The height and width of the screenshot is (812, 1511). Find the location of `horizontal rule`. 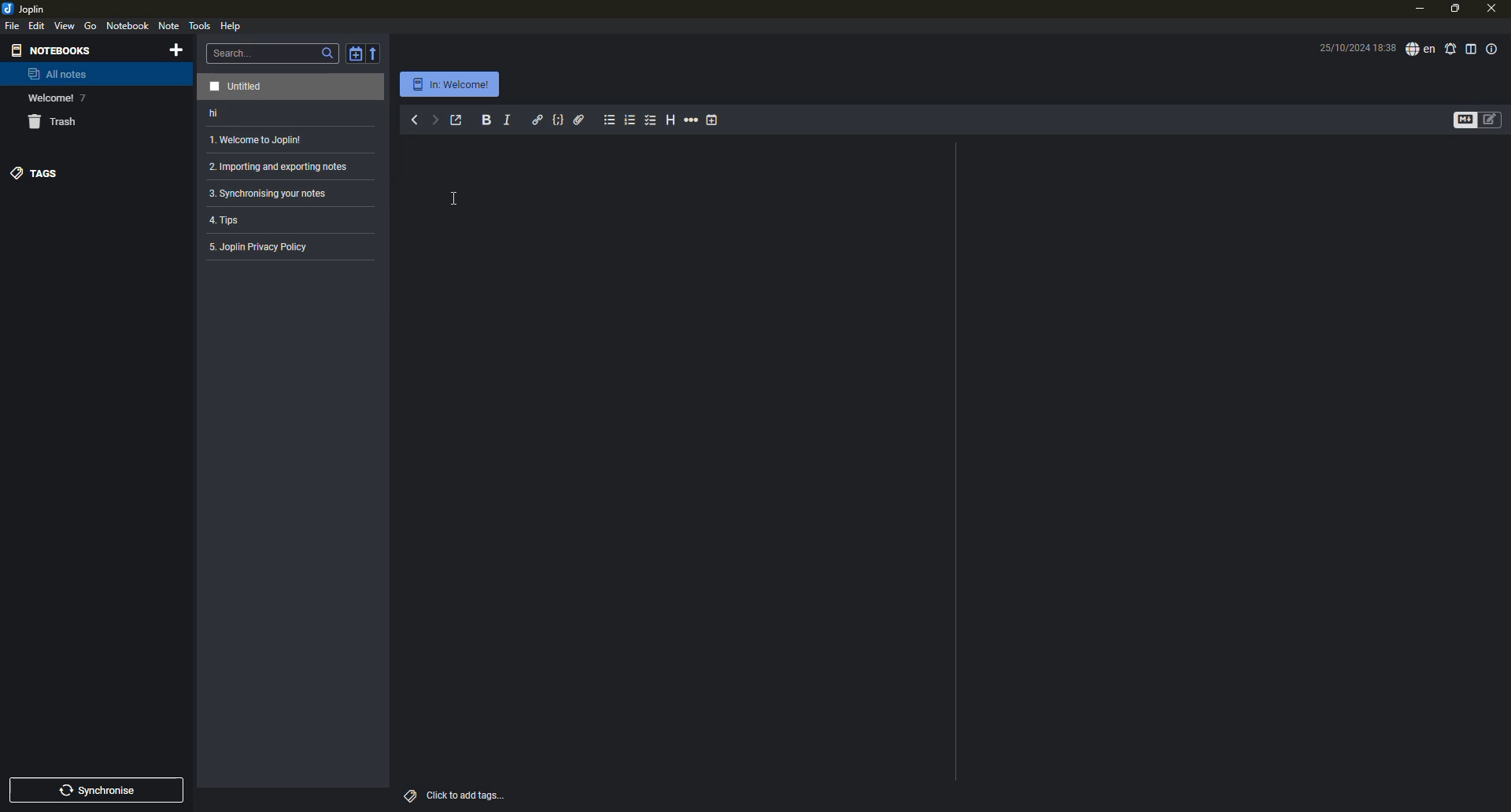

horizontal rule is located at coordinates (692, 120).